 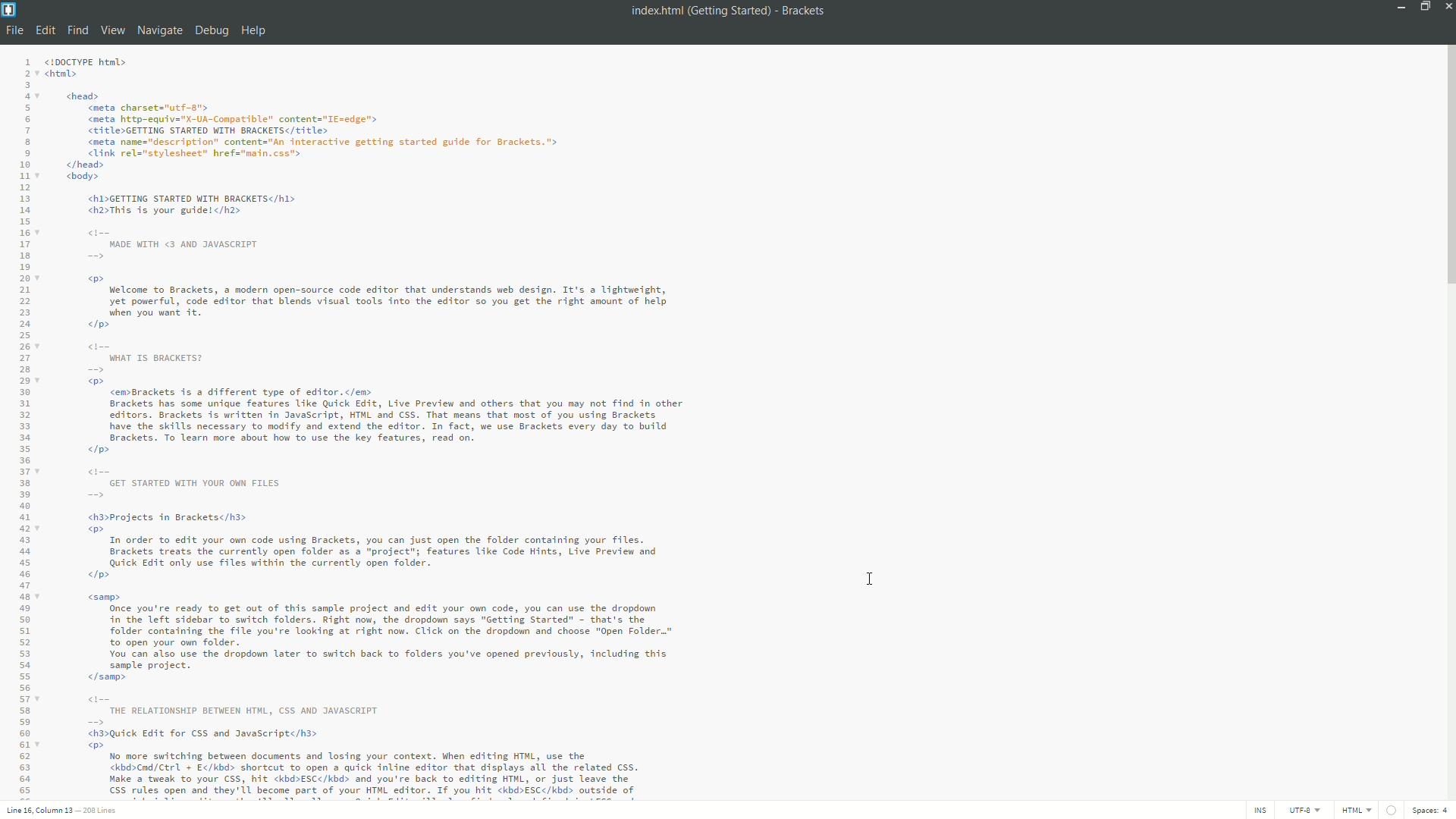 What do you see at coordinates (13, 30) in the screenshot?
I see `file menu` at bounding box center [13, 30].